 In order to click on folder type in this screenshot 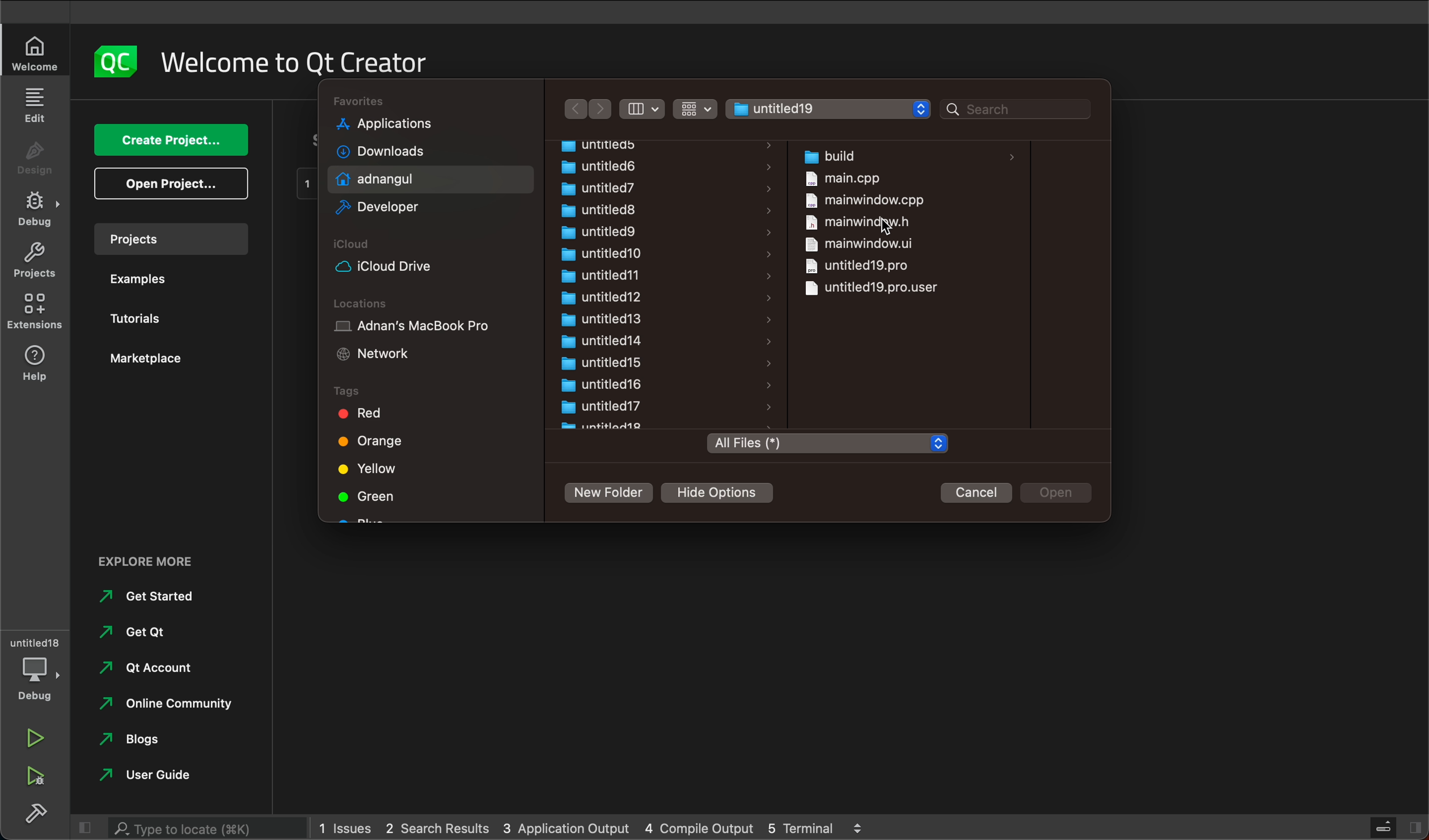, I will do `click(826, 444)`.